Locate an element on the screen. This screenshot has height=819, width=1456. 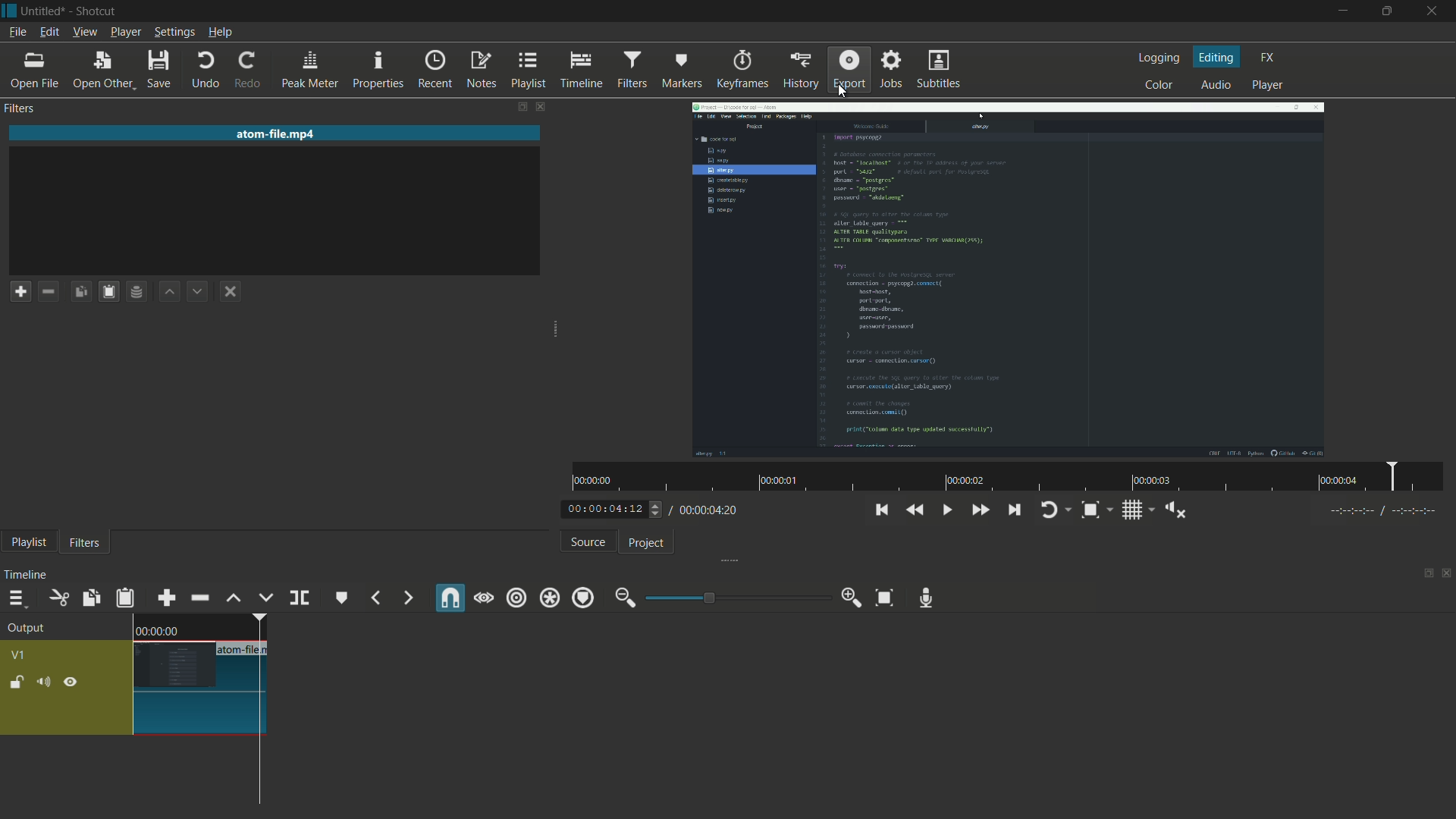
close app is located at coordinates (1436, 12).